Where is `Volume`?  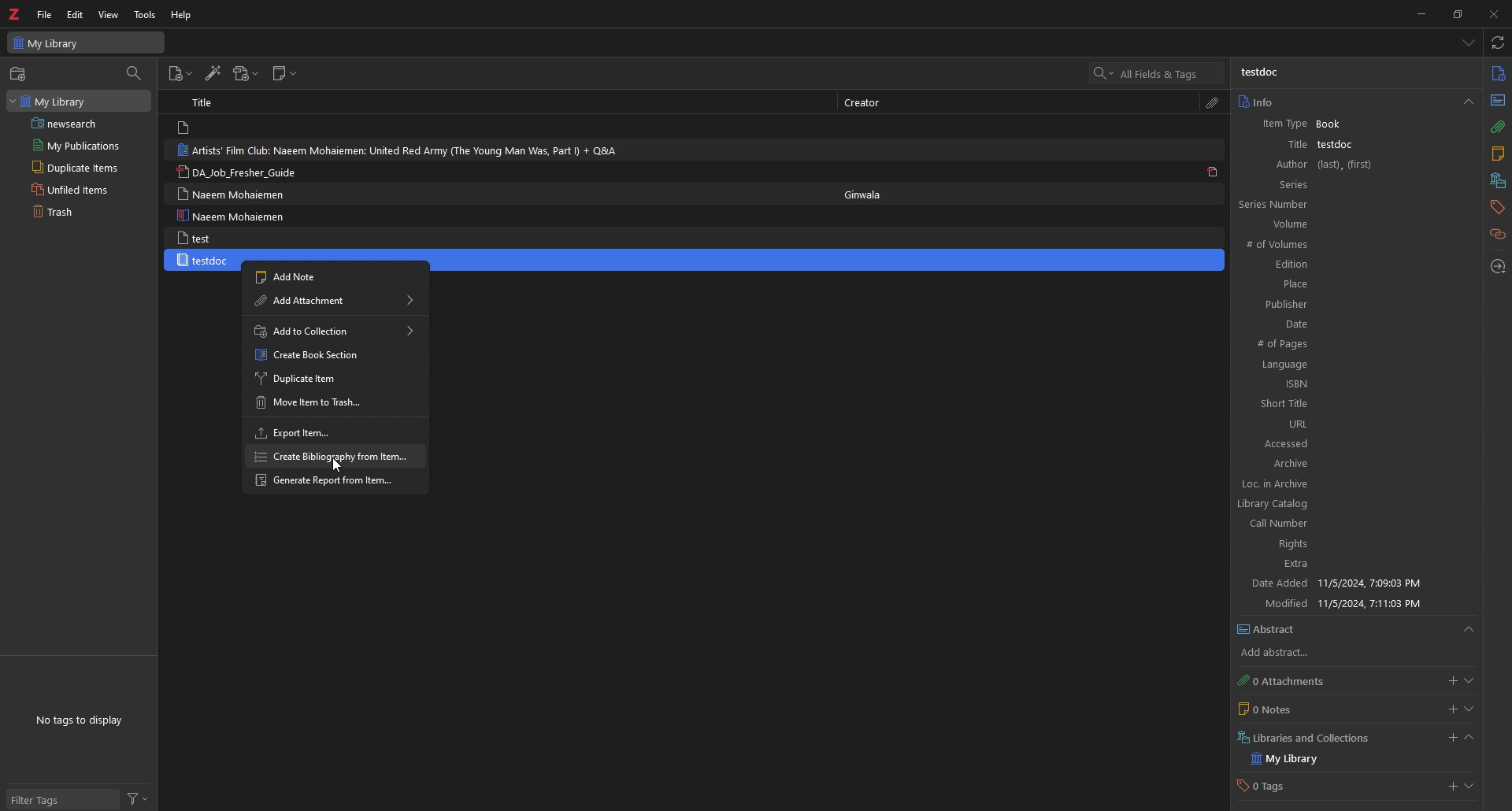
Volume is located at coordinates (1350, 224).